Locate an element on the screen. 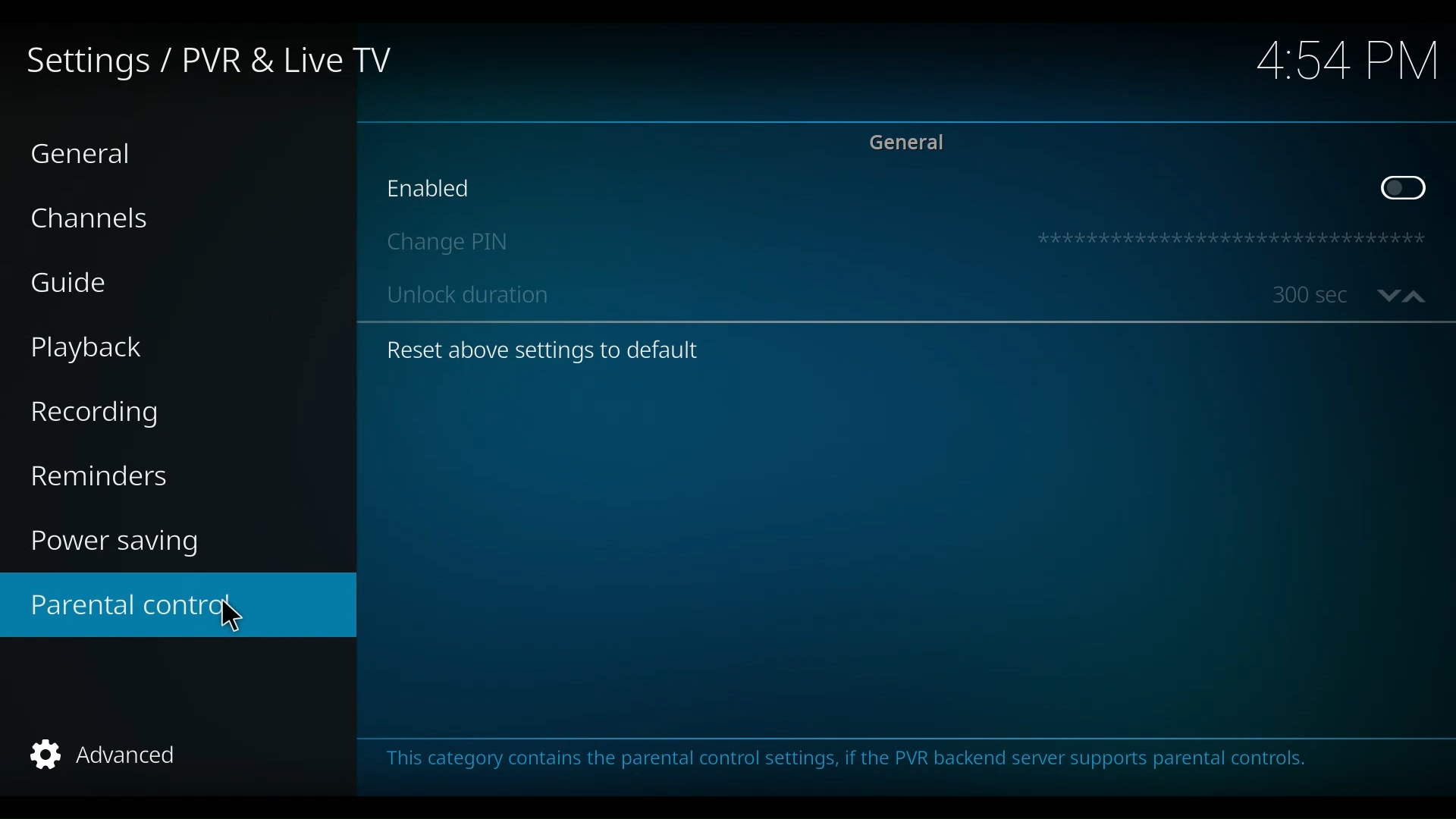 Image resolution: width=1456 pixels, height=819 pixels. Parental control is located at coordinates (177, 604).